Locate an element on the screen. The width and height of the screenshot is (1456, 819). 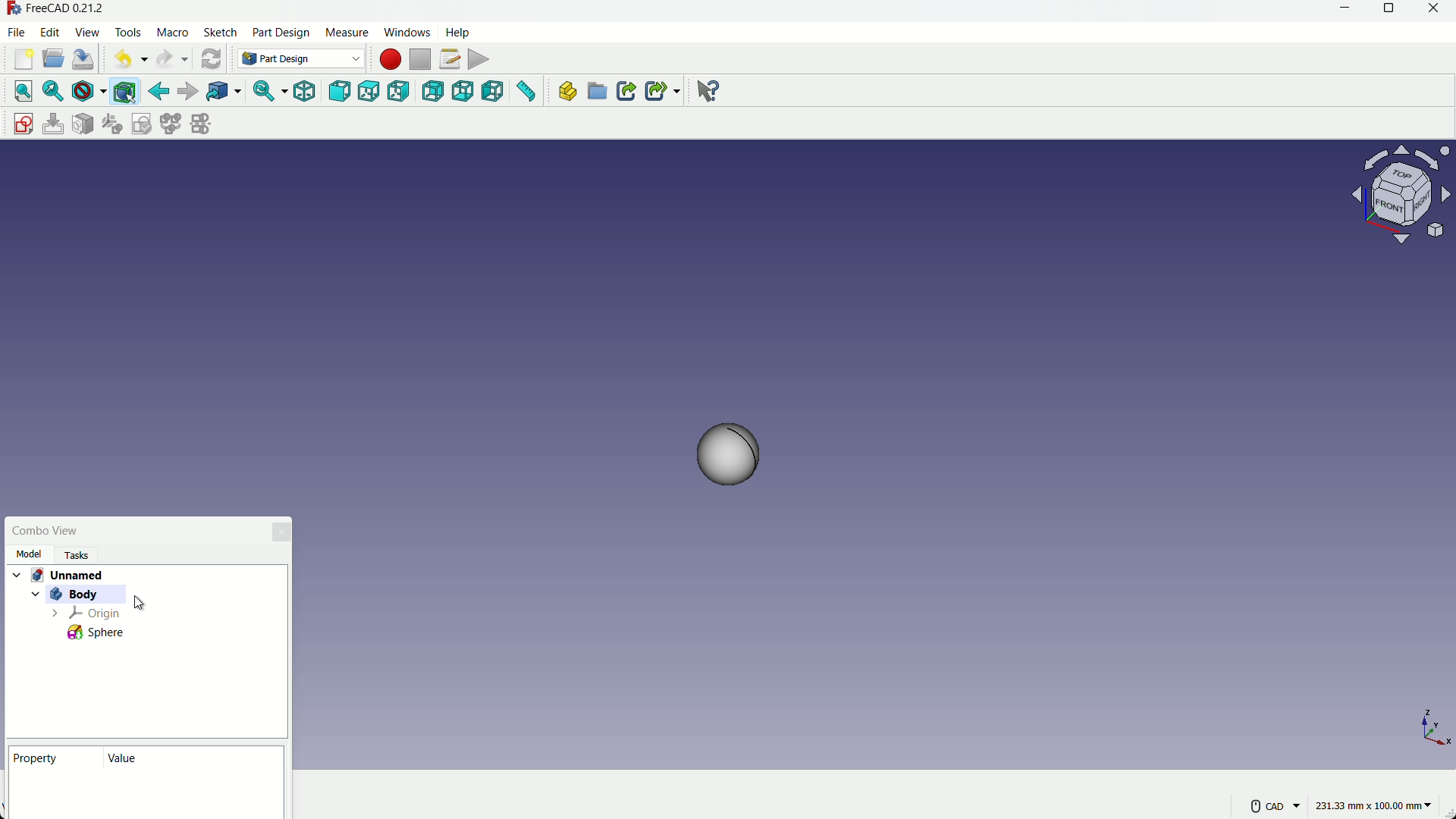
front view is located at coordinates (341, 92).